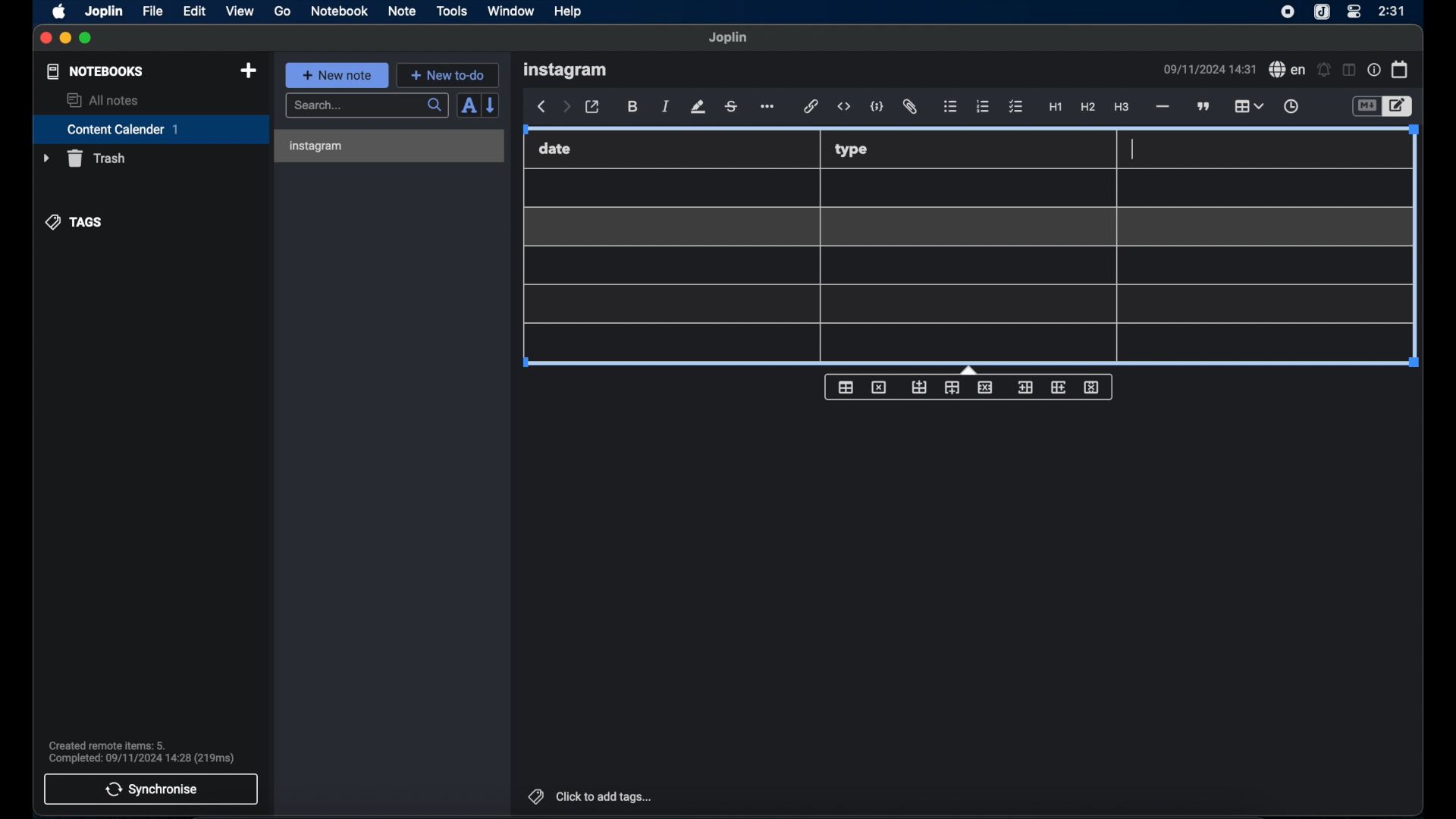 This screenshot has width=1456, height=819. I want to click on attach file, so click(912, 107).